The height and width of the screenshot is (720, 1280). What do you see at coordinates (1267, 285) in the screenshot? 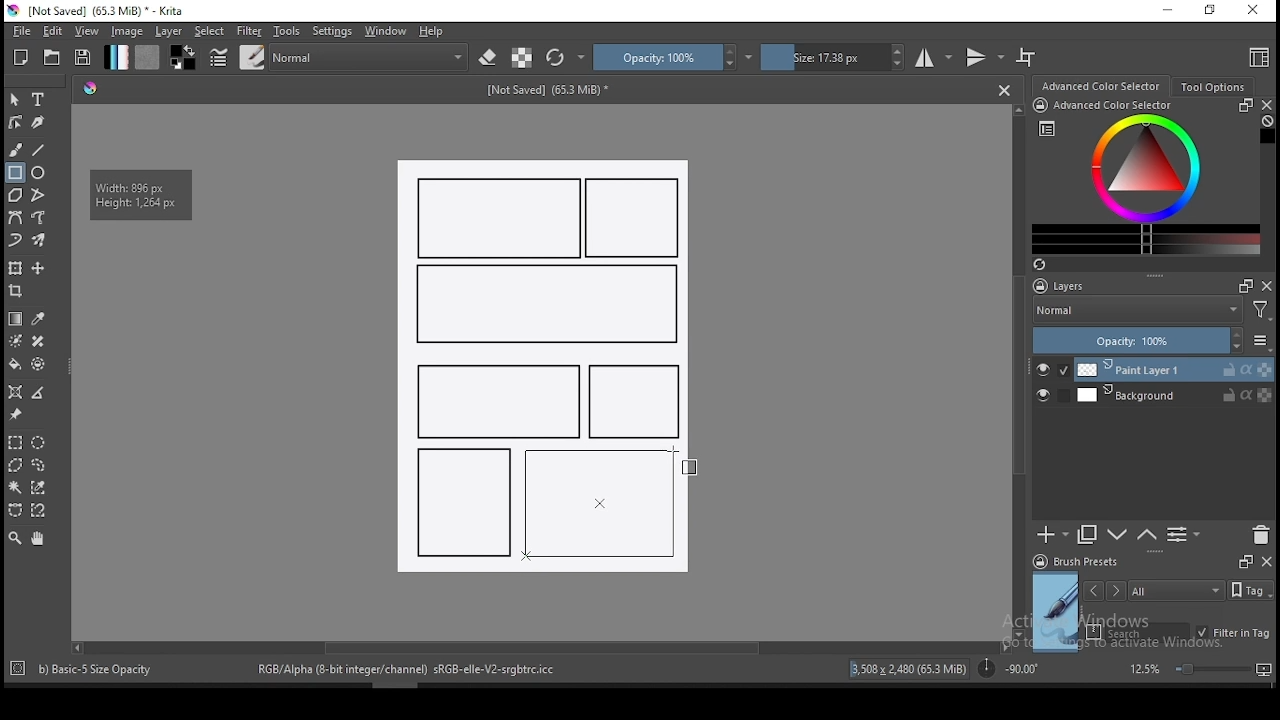
I see `close docker` at bounding box center [1267, 285].